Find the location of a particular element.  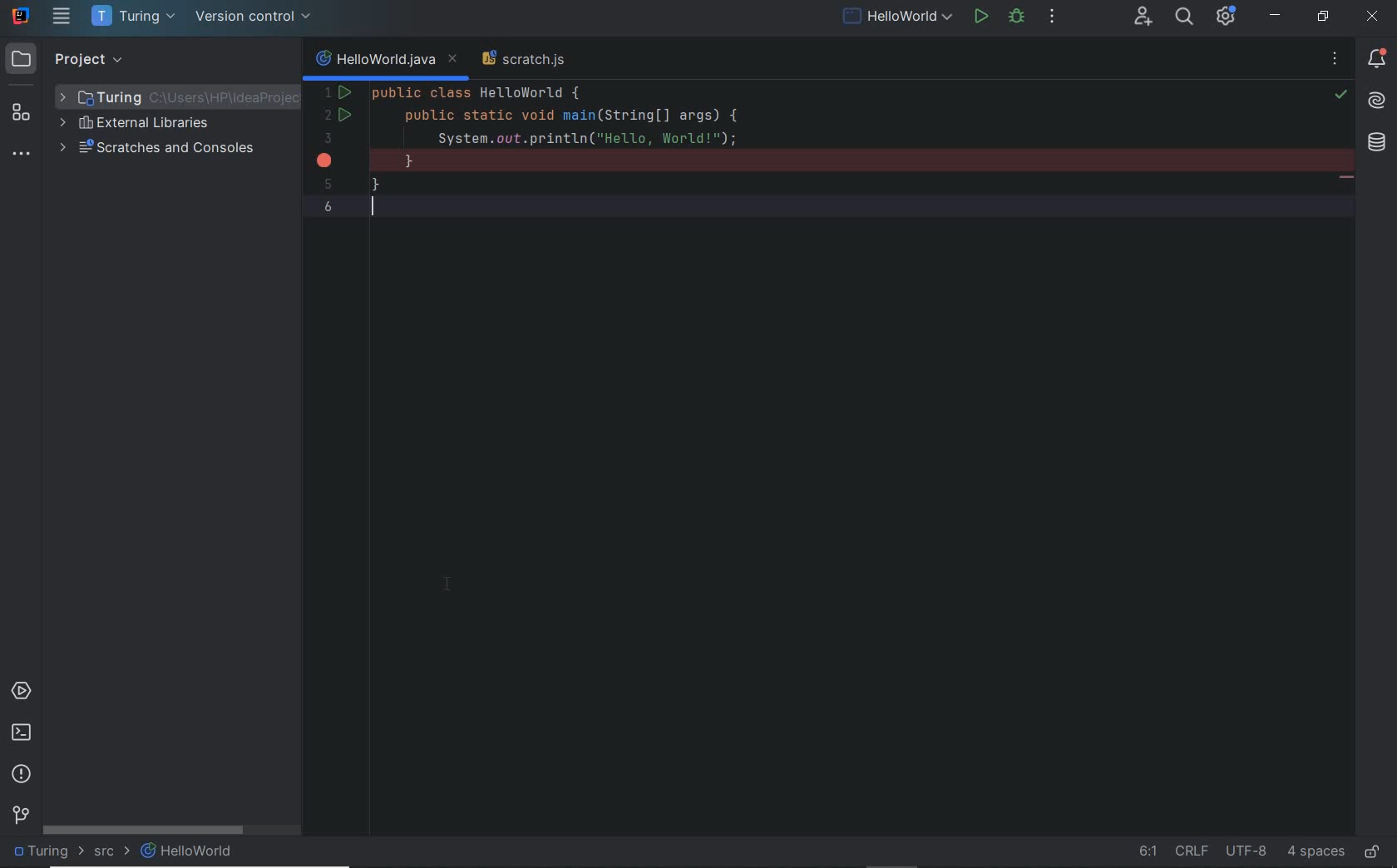

5 is located at coordinates (327, 185).